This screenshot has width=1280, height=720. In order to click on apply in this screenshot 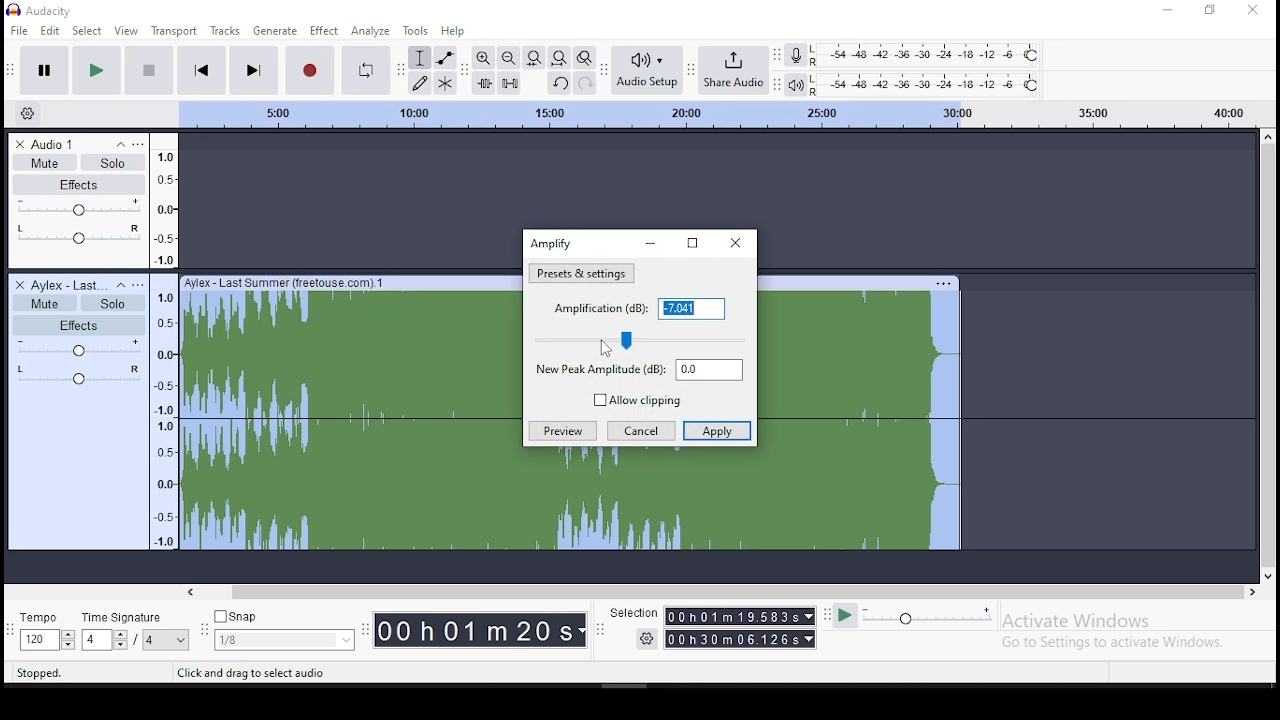, I will do `click(716, 430)`.